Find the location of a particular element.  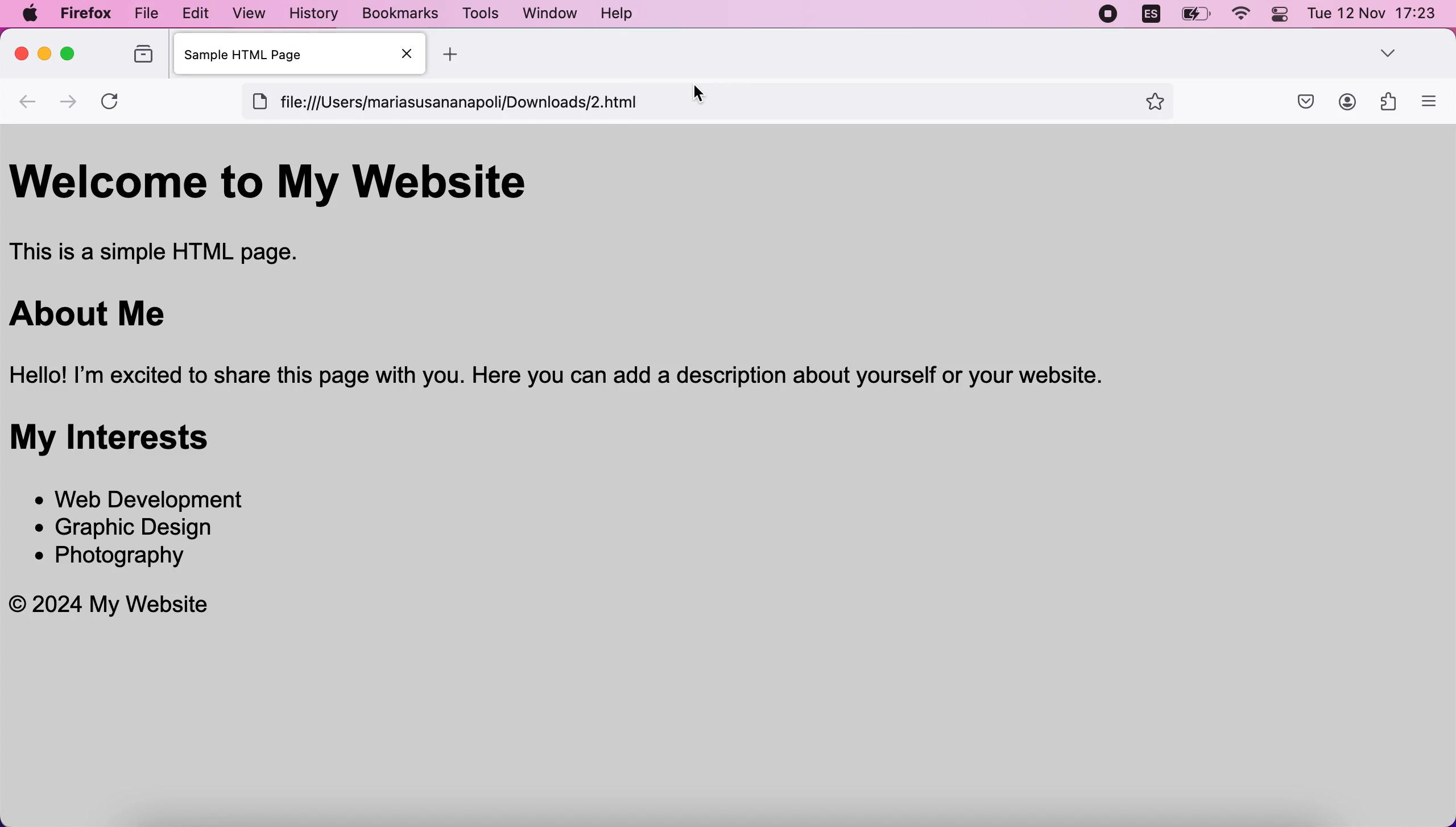

wifi is located at coordinates (1242, 16).